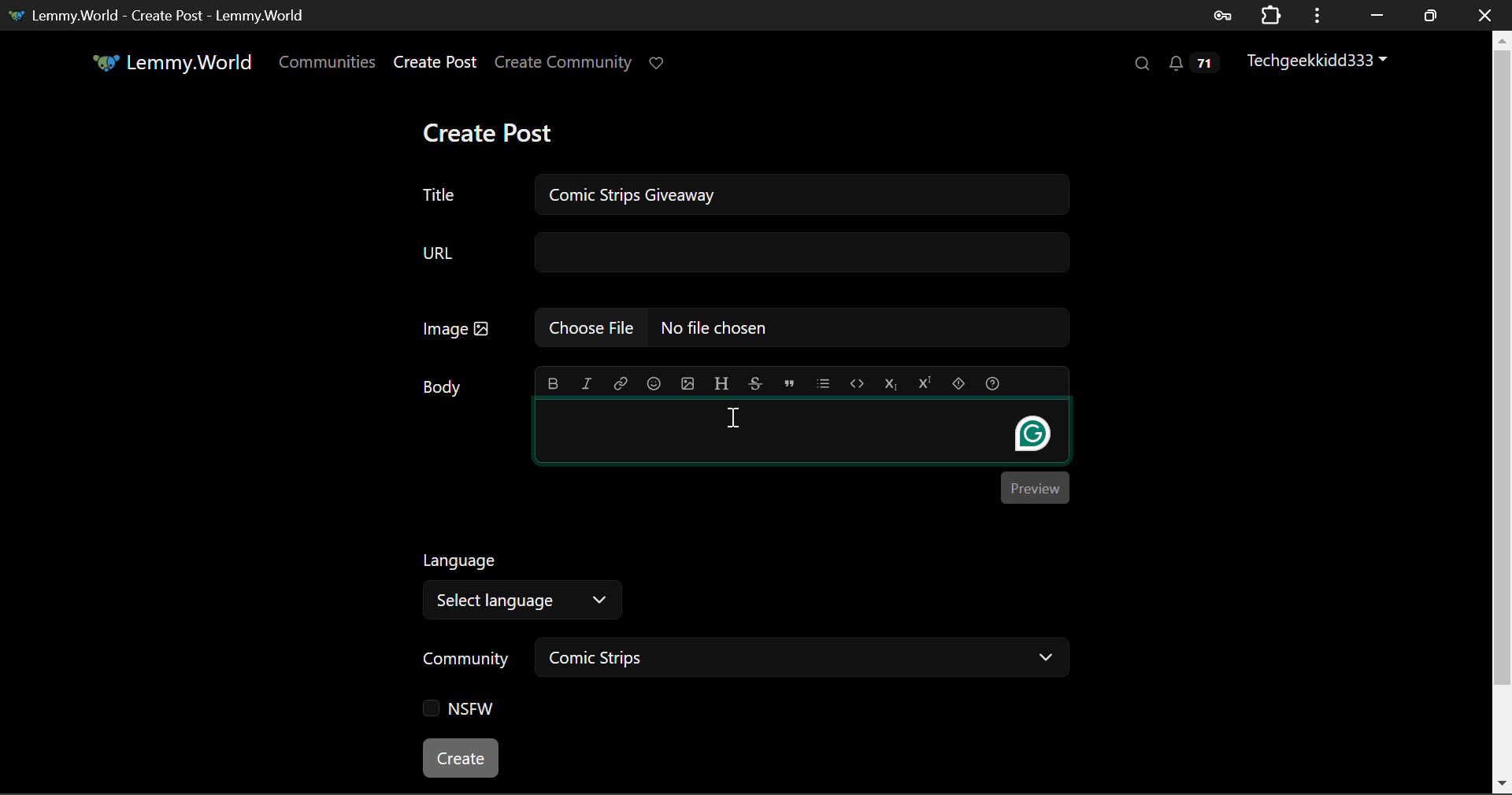  What do you see at coordinates (786, 383) in the screenshot?
I see `quote` at bounding box center [786, 383].